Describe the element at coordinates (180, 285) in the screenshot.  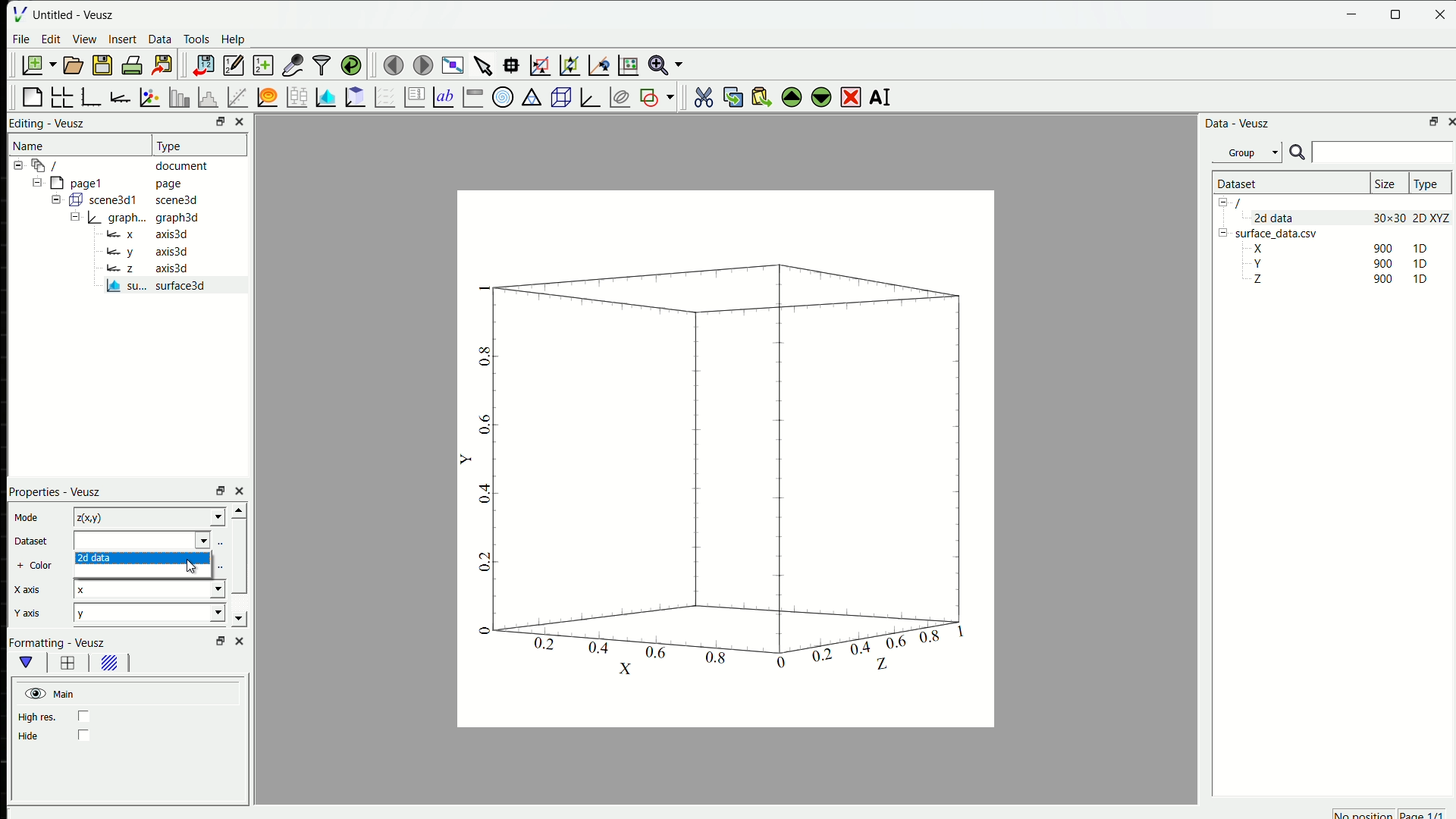
I see `surface 3D` at that location.